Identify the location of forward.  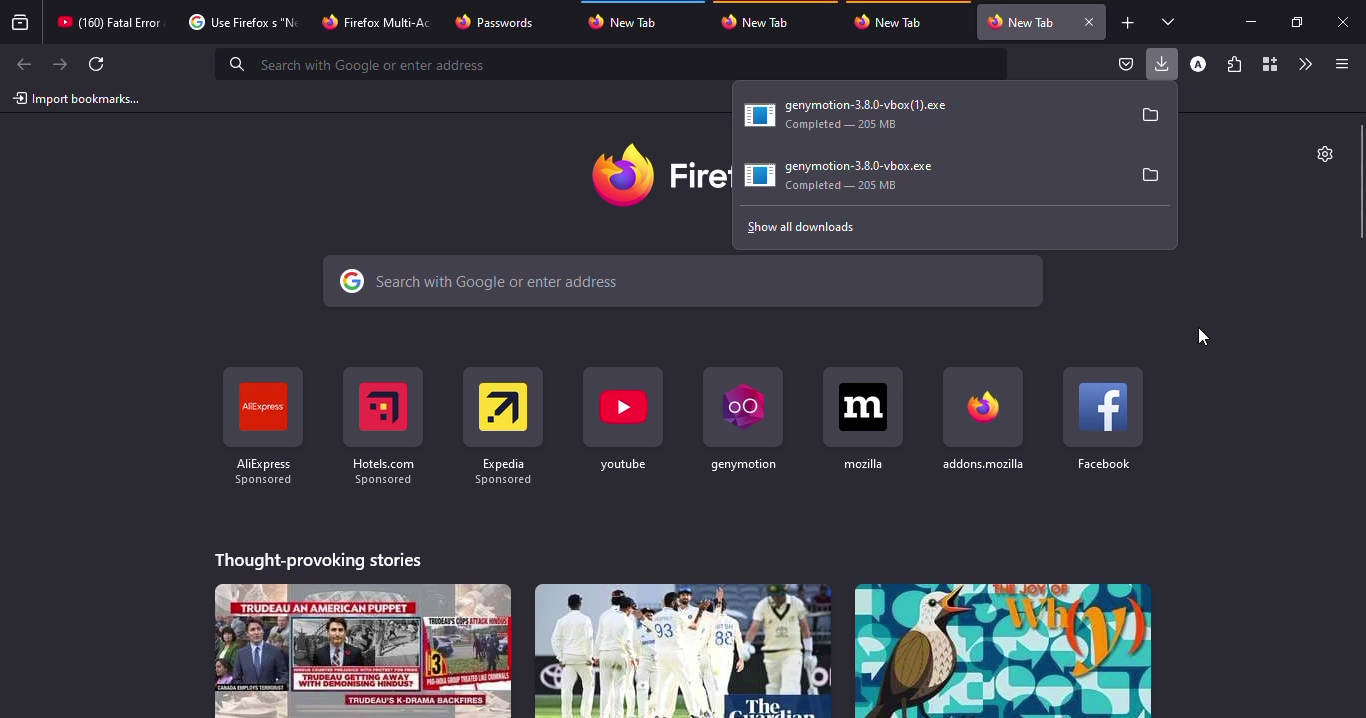
(60, 64).